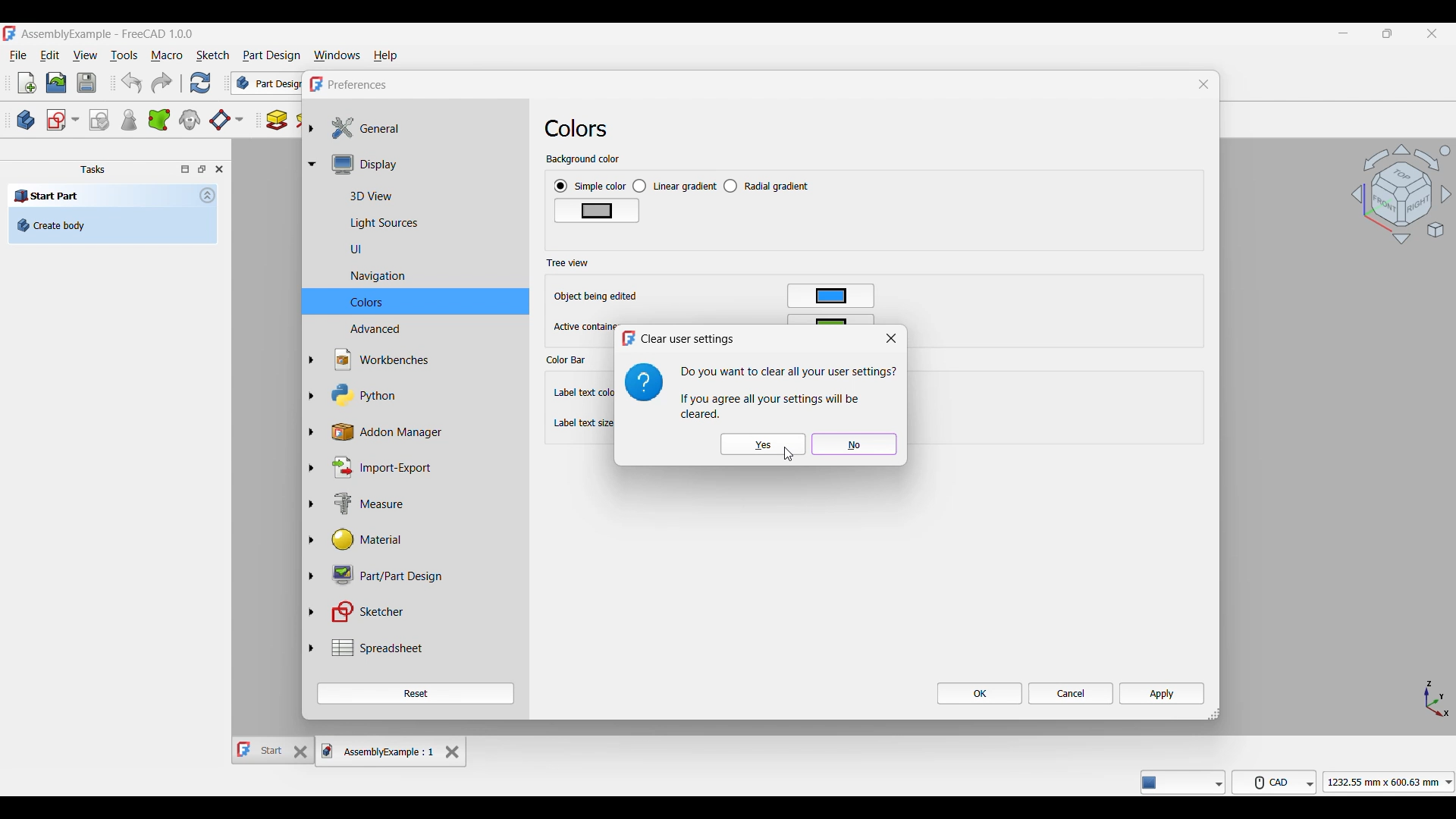  Describe the element at coordinates (892, 339) in the screenshot. I see `Close` at that location.